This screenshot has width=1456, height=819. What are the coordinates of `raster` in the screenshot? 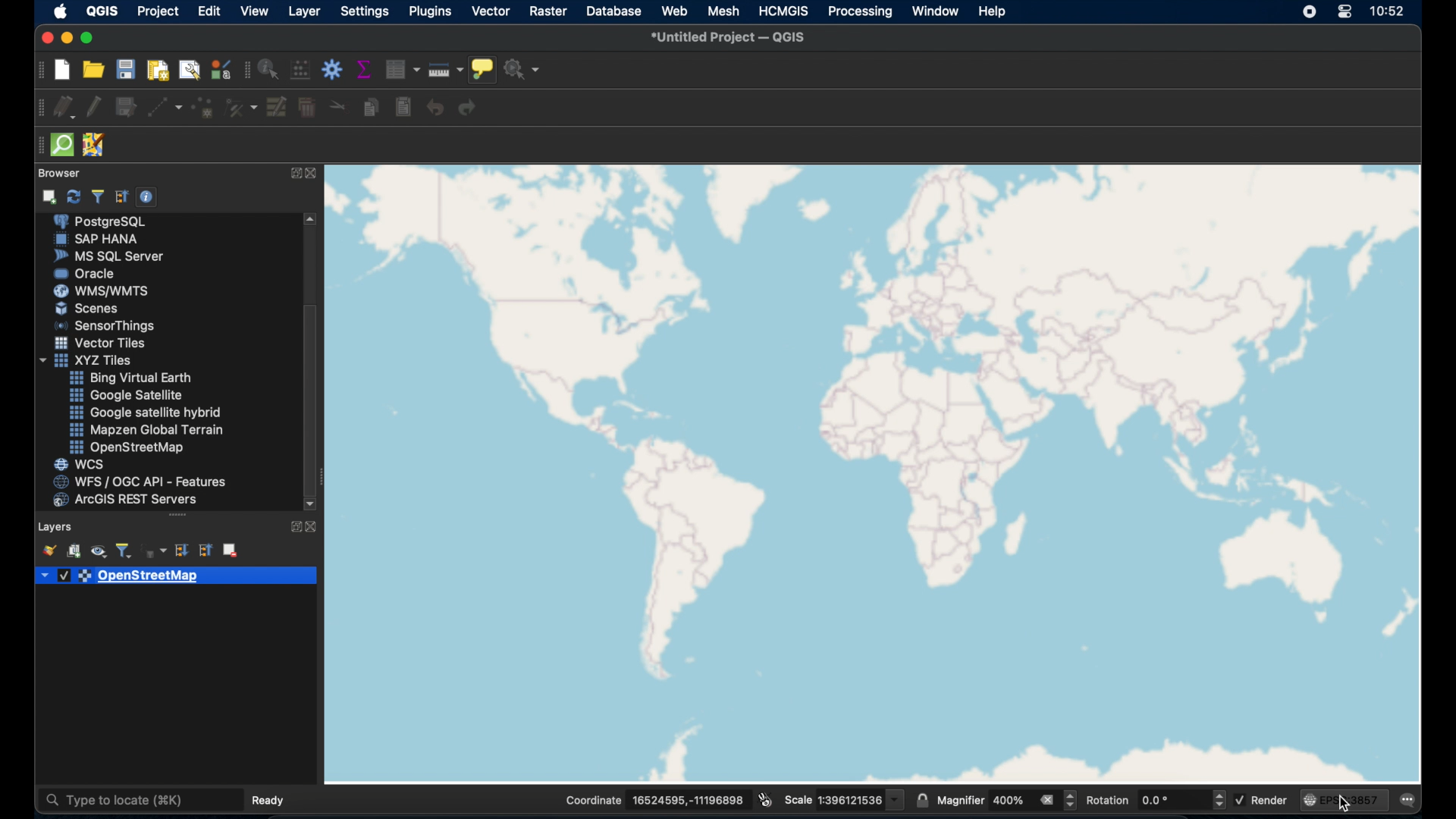 It's located at (548, 11).